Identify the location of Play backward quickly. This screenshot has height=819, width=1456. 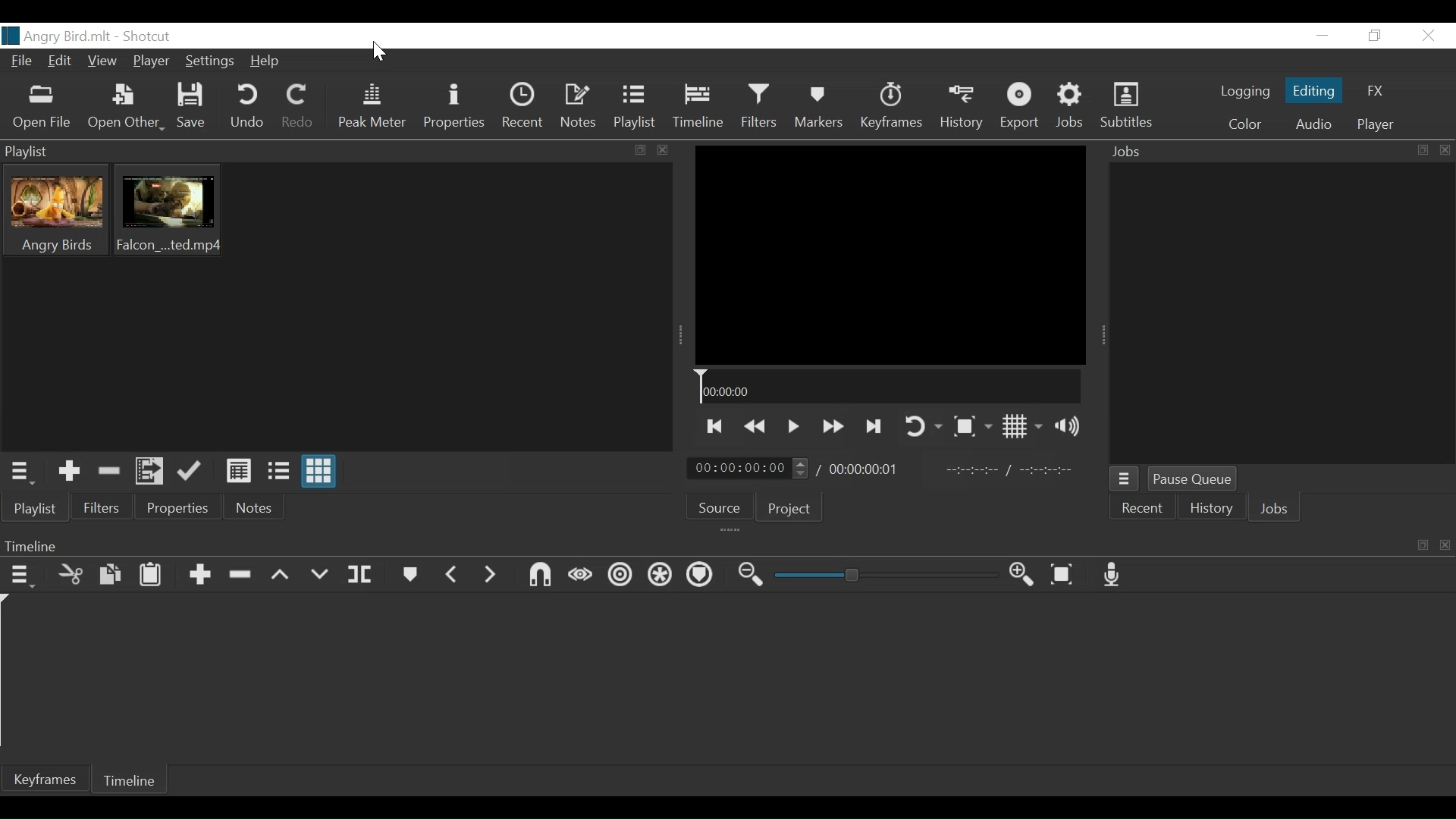
(756, 428).